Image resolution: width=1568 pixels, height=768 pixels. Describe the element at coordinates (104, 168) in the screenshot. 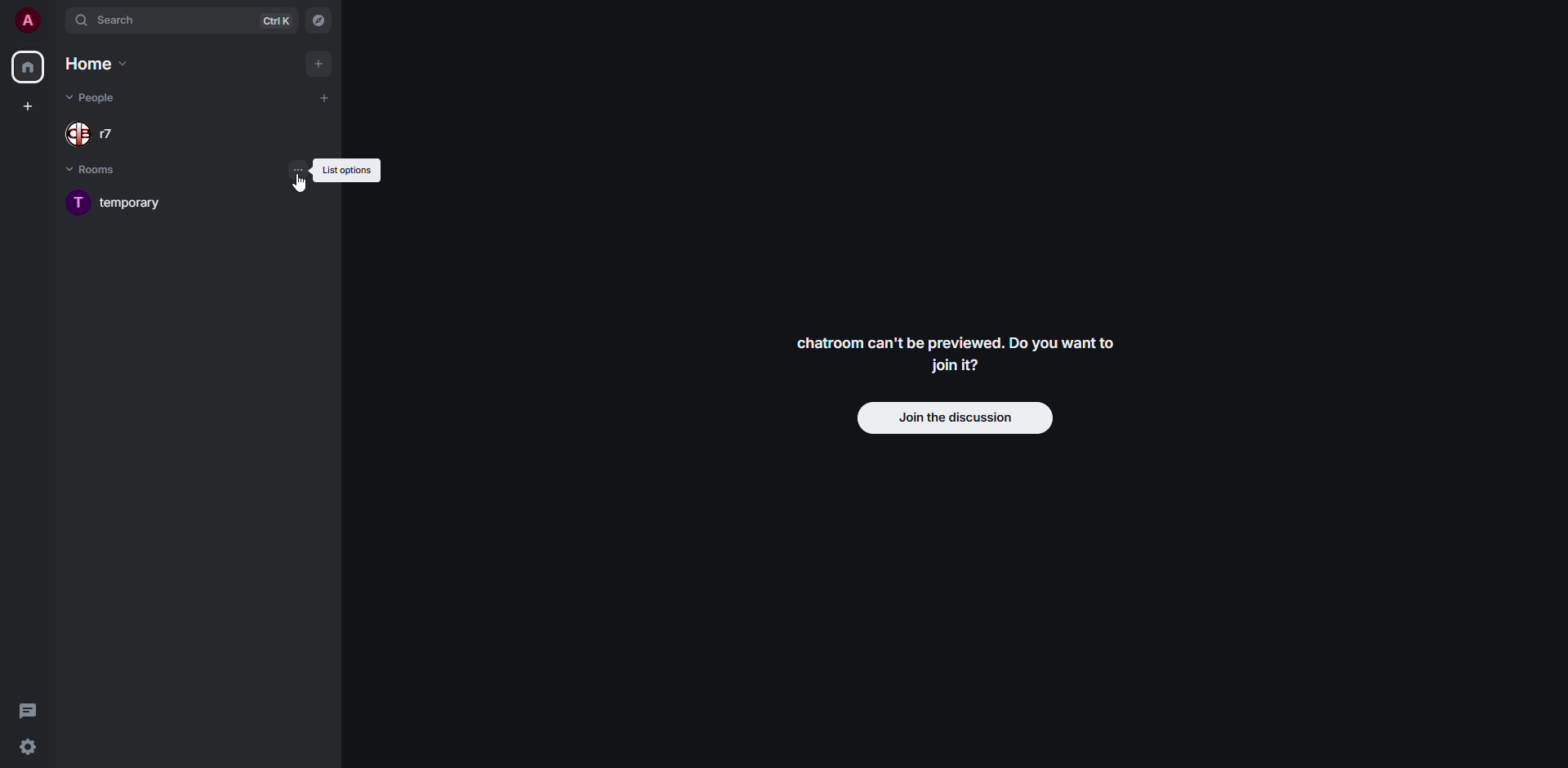

I see `rooms` at that location.